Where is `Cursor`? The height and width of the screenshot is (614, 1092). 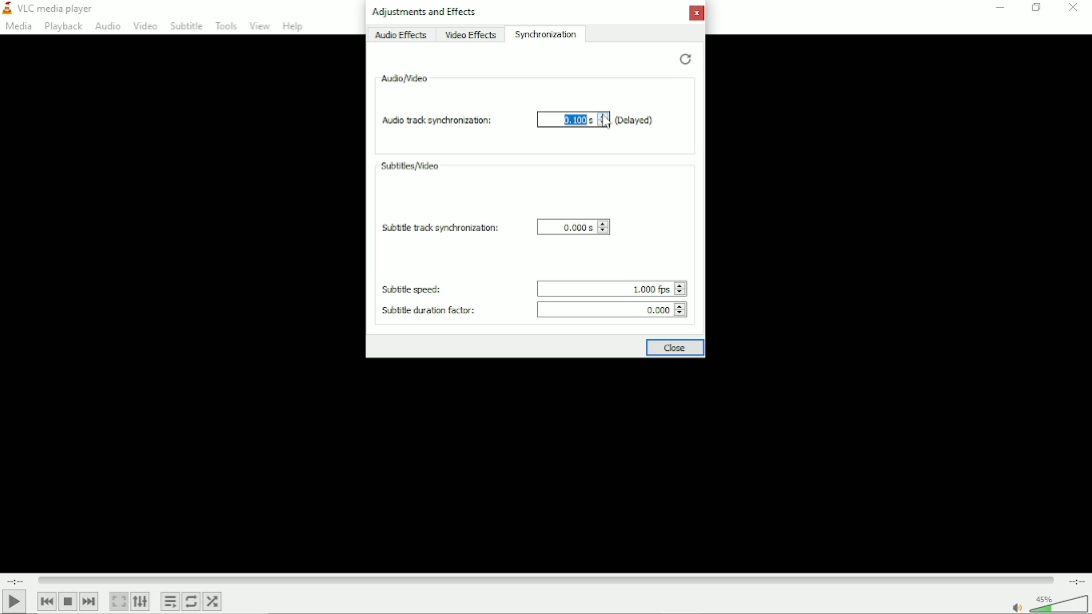
Cursor is located at coordinates (606, 121).